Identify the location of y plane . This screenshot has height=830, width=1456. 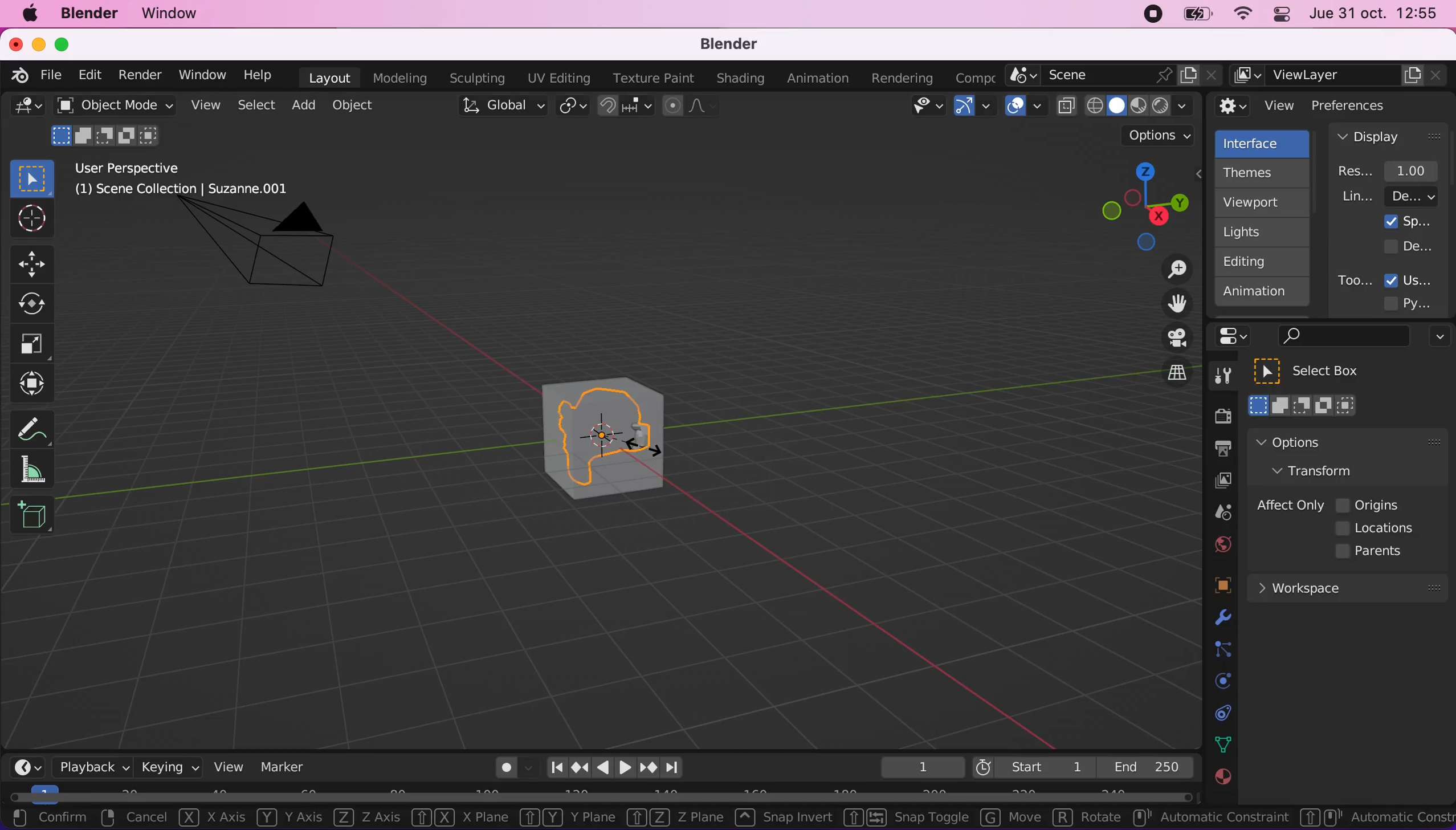
(562, 819).